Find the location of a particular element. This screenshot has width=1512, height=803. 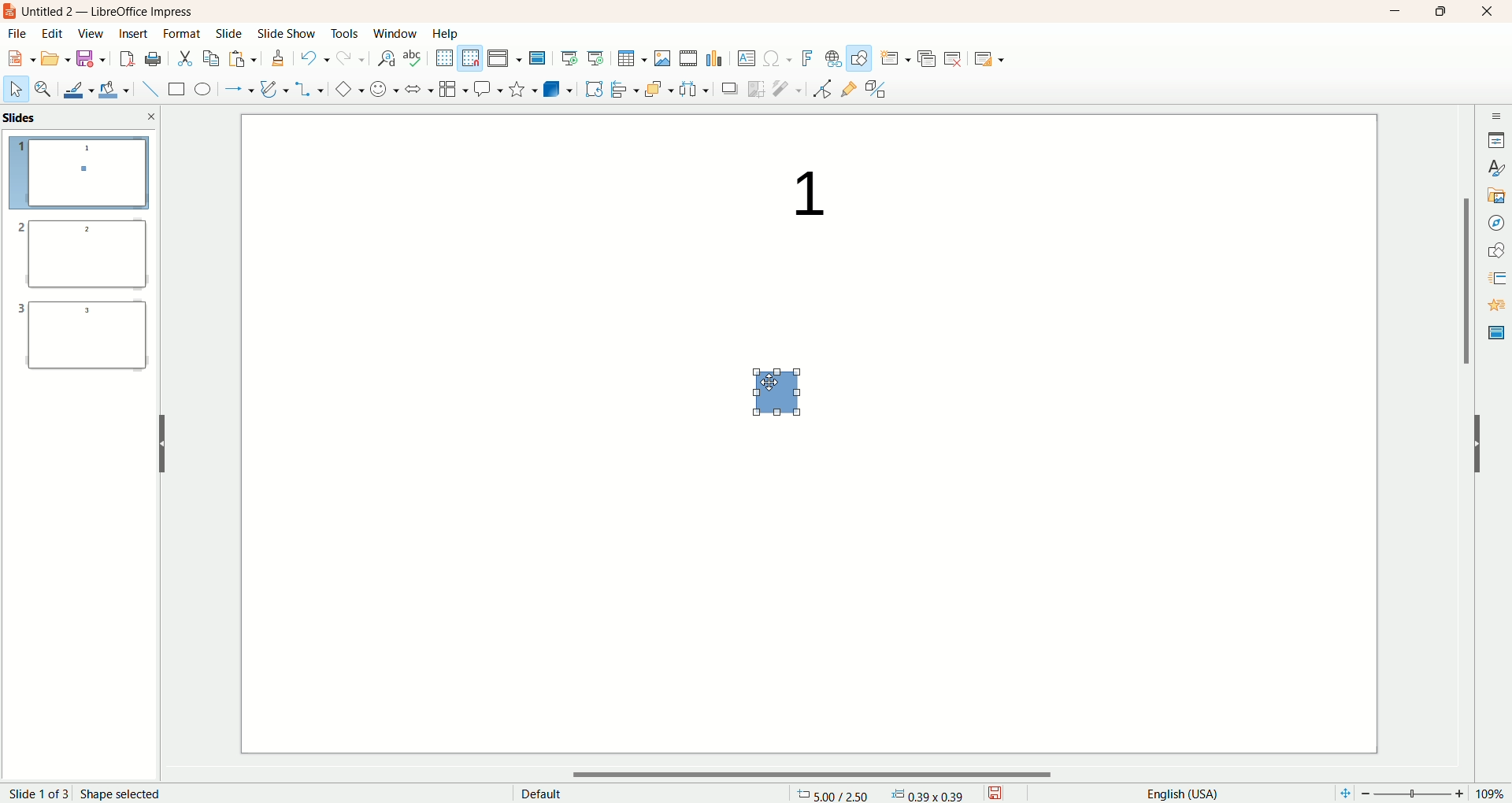

draw function is located at coordinates (859, 58).